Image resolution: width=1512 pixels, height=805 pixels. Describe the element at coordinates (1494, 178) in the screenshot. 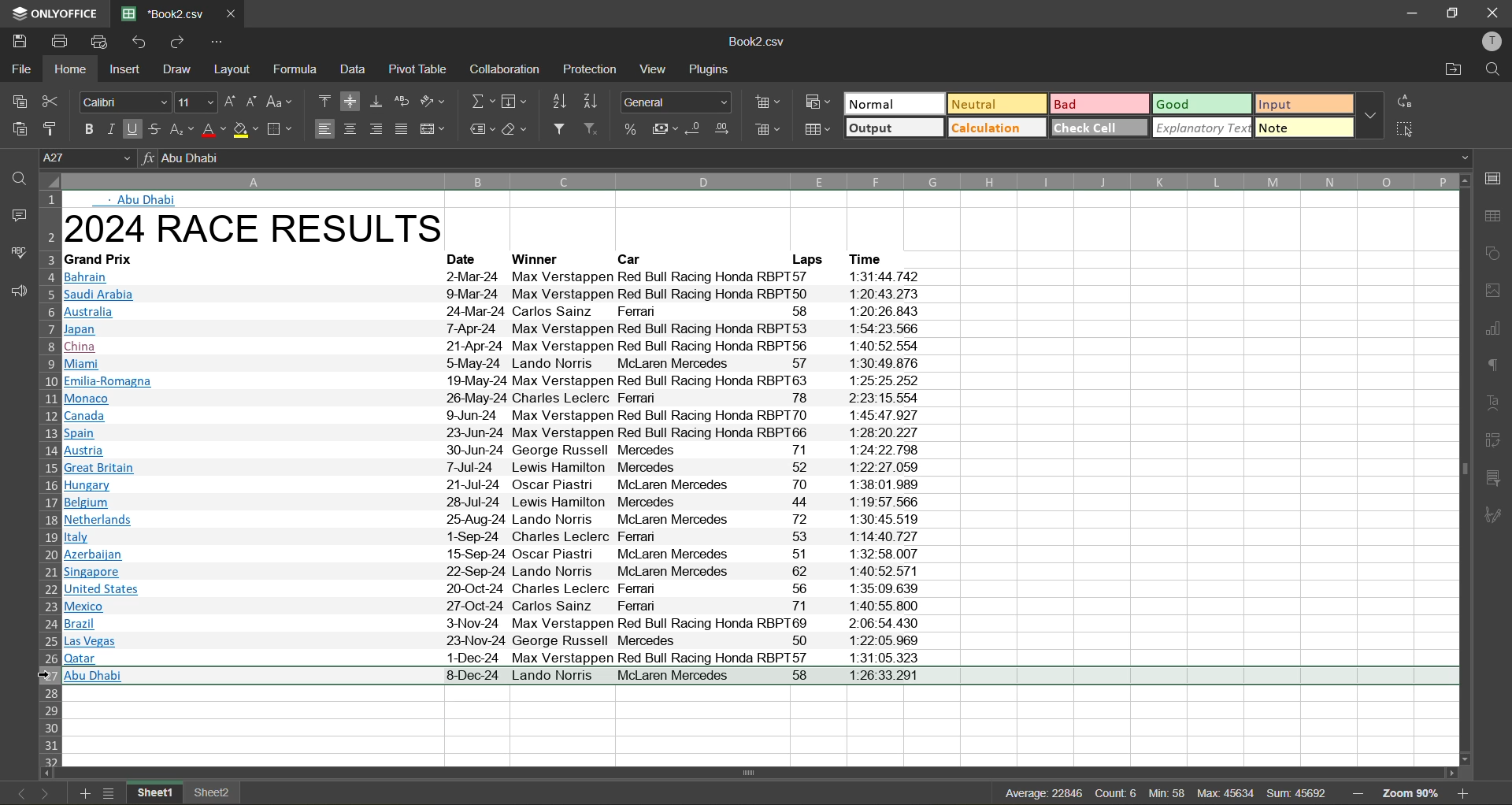

I see `call settings` at that location.